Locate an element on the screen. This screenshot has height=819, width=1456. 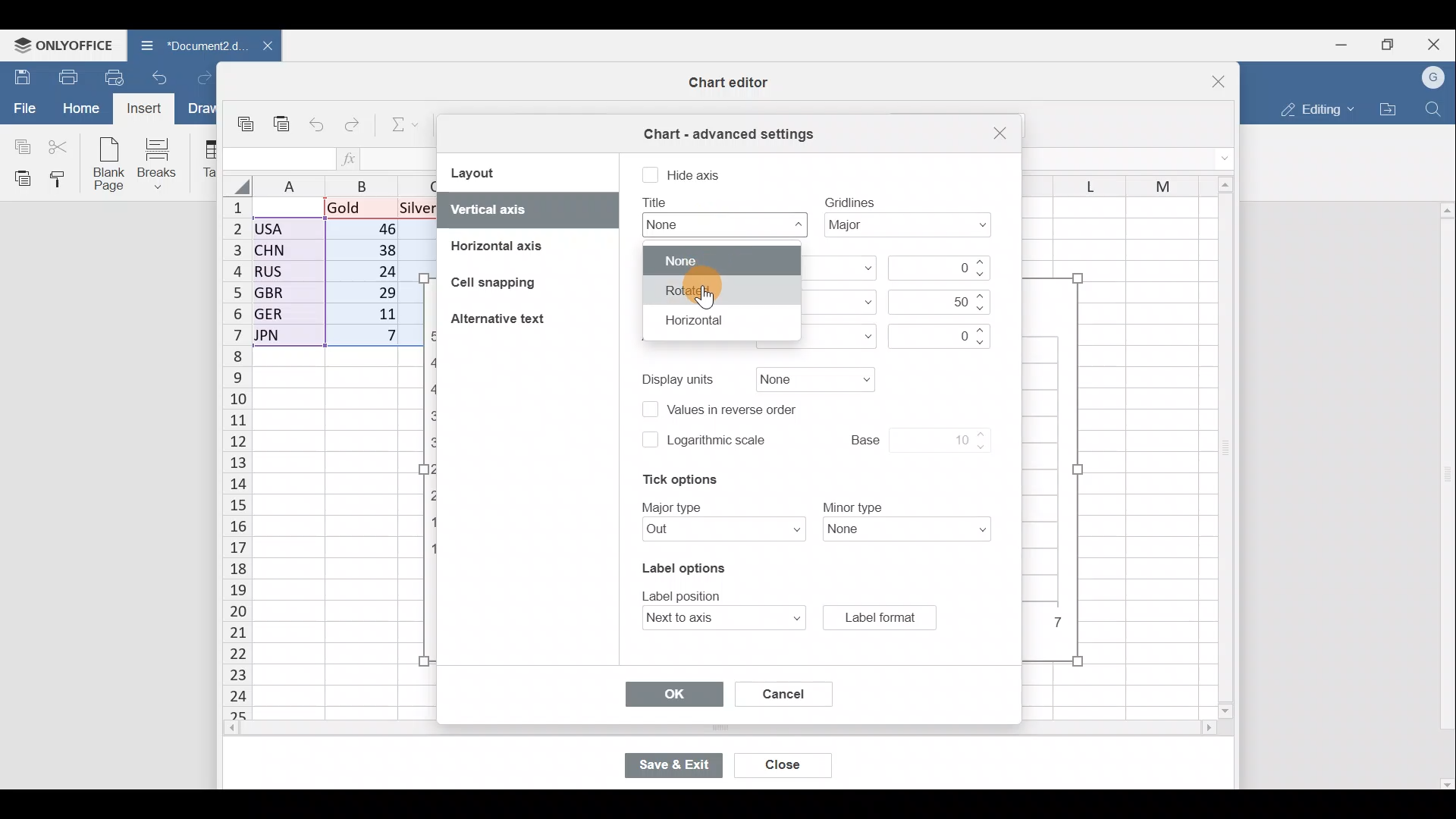
Document2.d is located at coordinates (184, 45).